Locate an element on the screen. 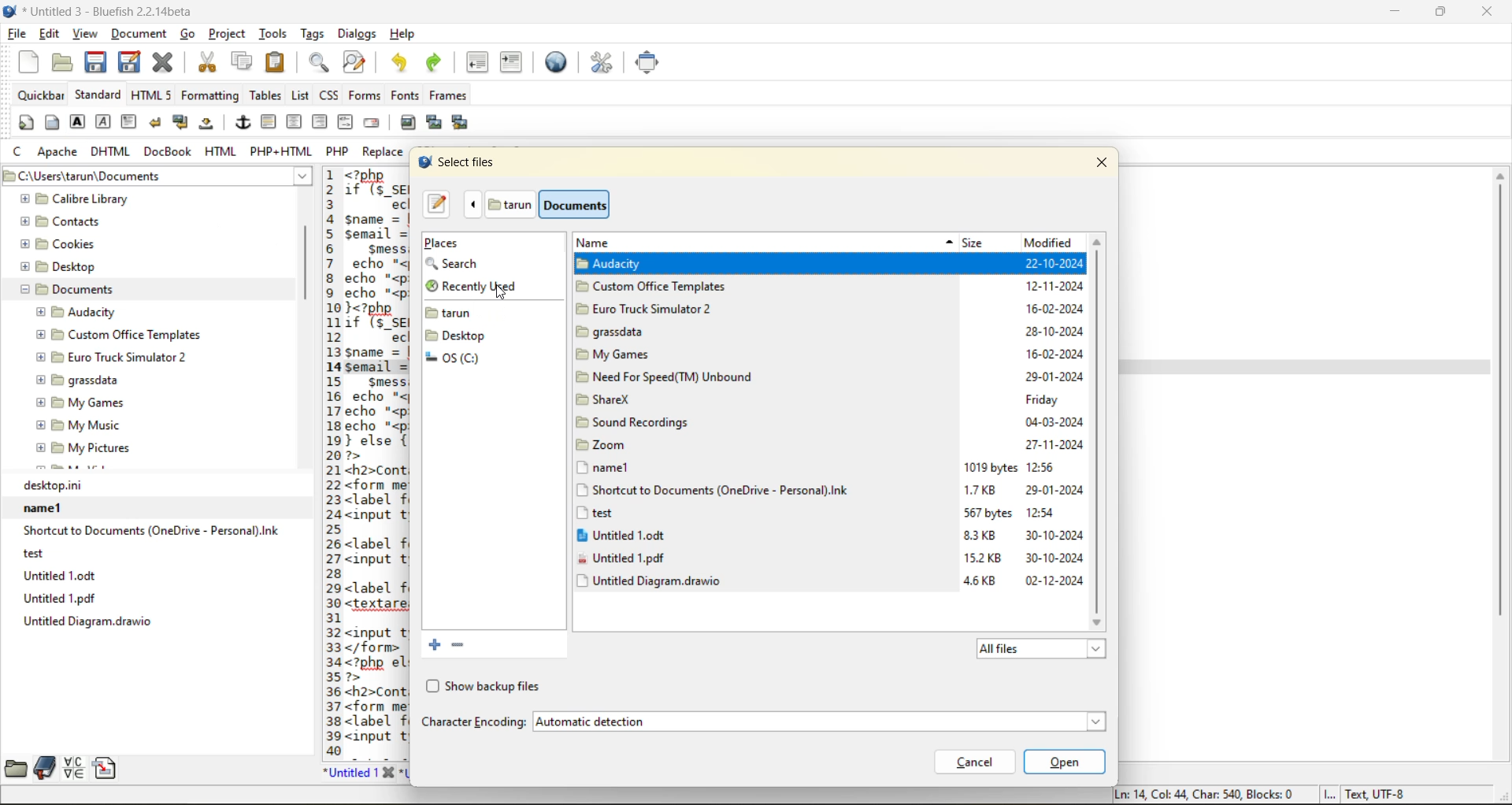  paragraph is located at coordinates (130, 121).